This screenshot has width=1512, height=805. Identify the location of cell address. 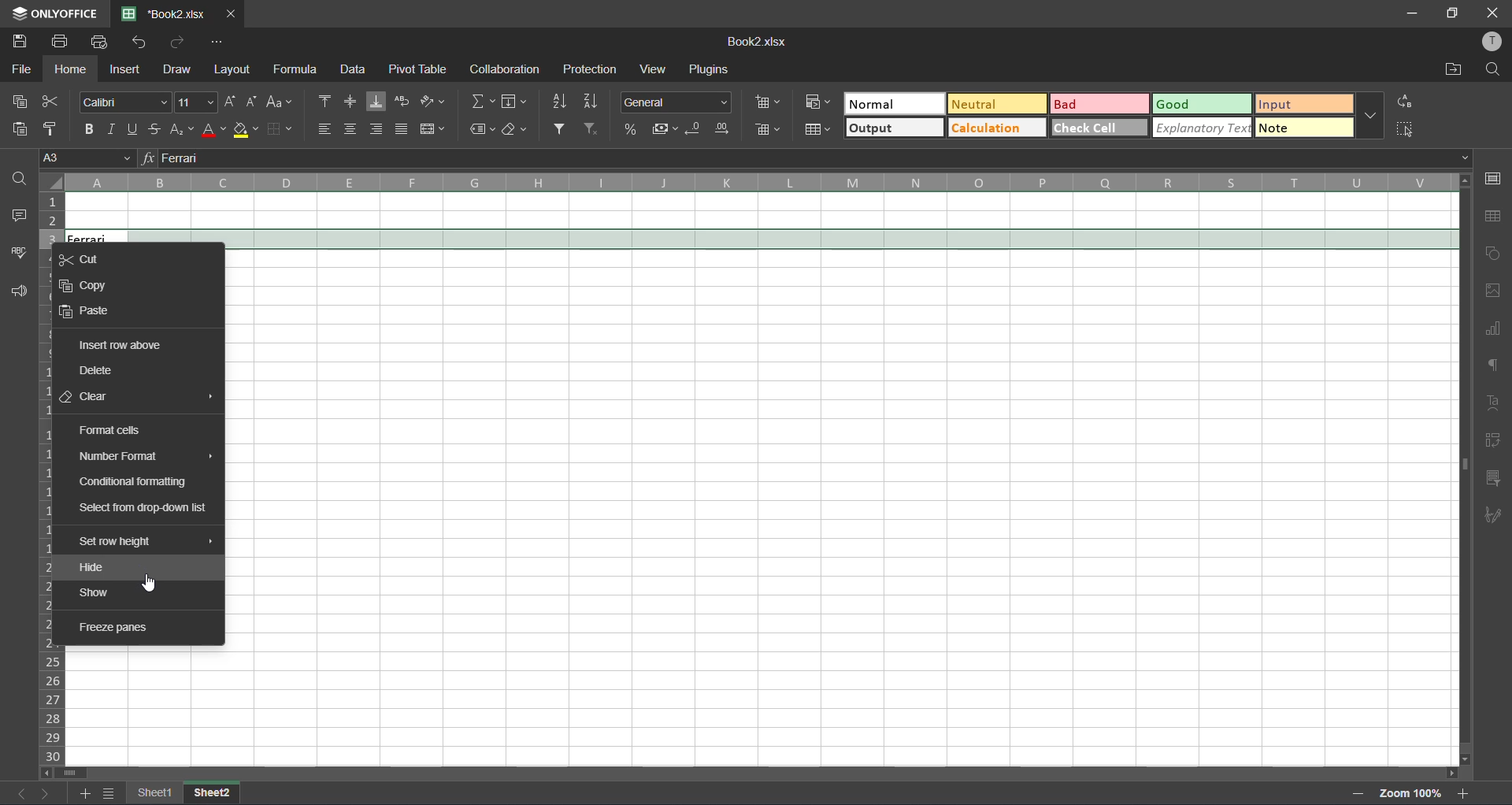
(87, 160).